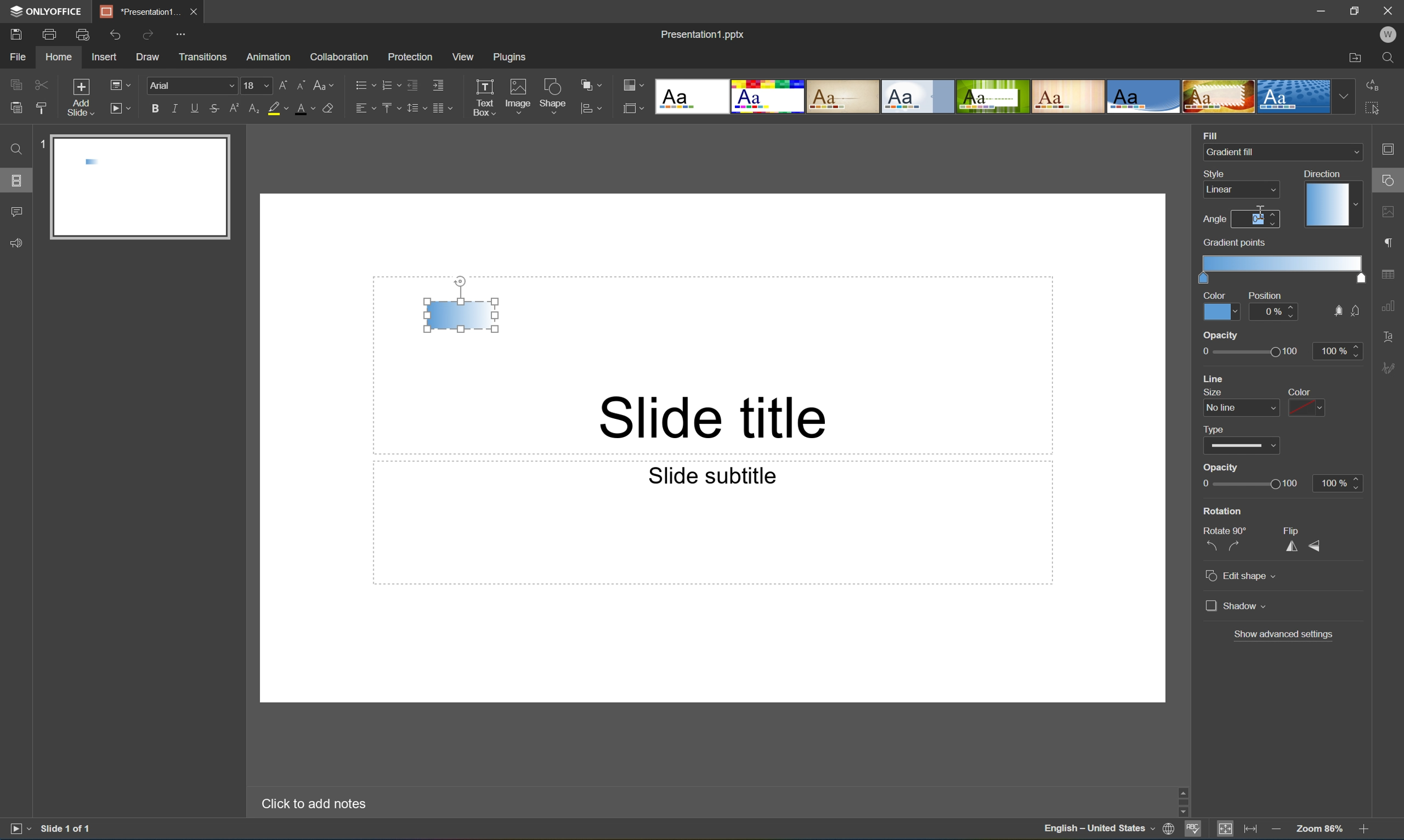  What do you see at coordinates (1217, 378) in the screenshot?
I see `line` at bounding box center [1217, 378].